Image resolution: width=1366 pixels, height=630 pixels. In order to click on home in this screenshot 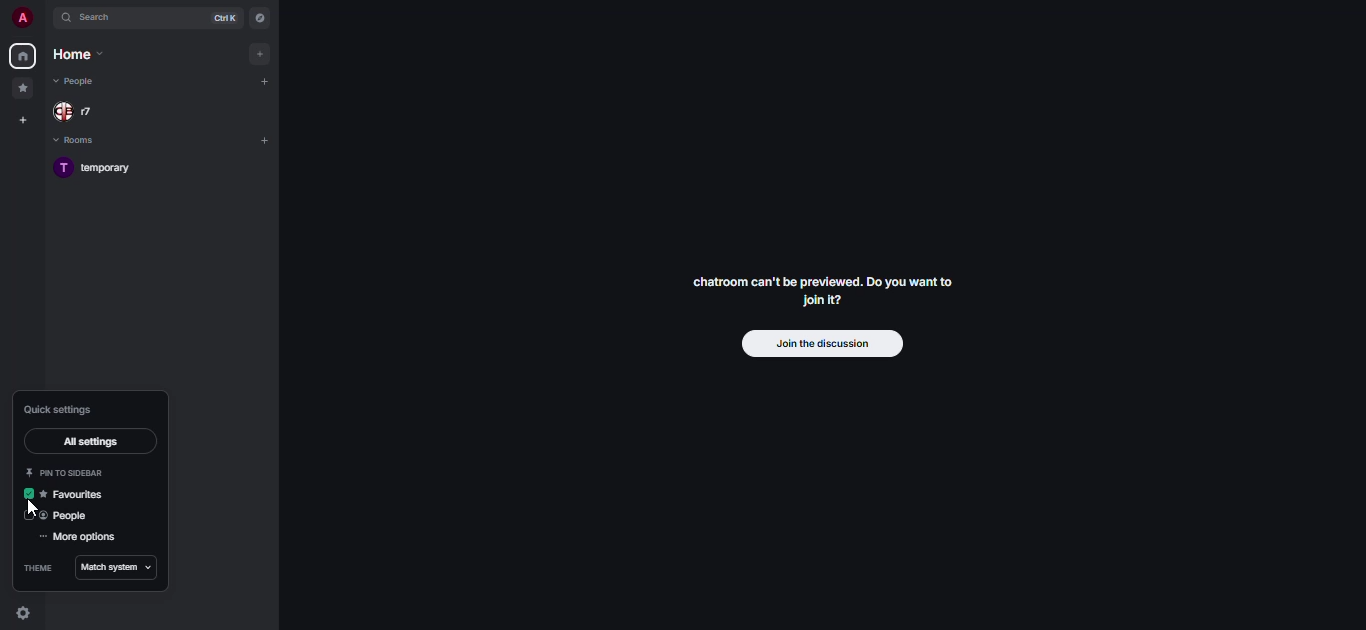, I will do `click(75, 55)`.